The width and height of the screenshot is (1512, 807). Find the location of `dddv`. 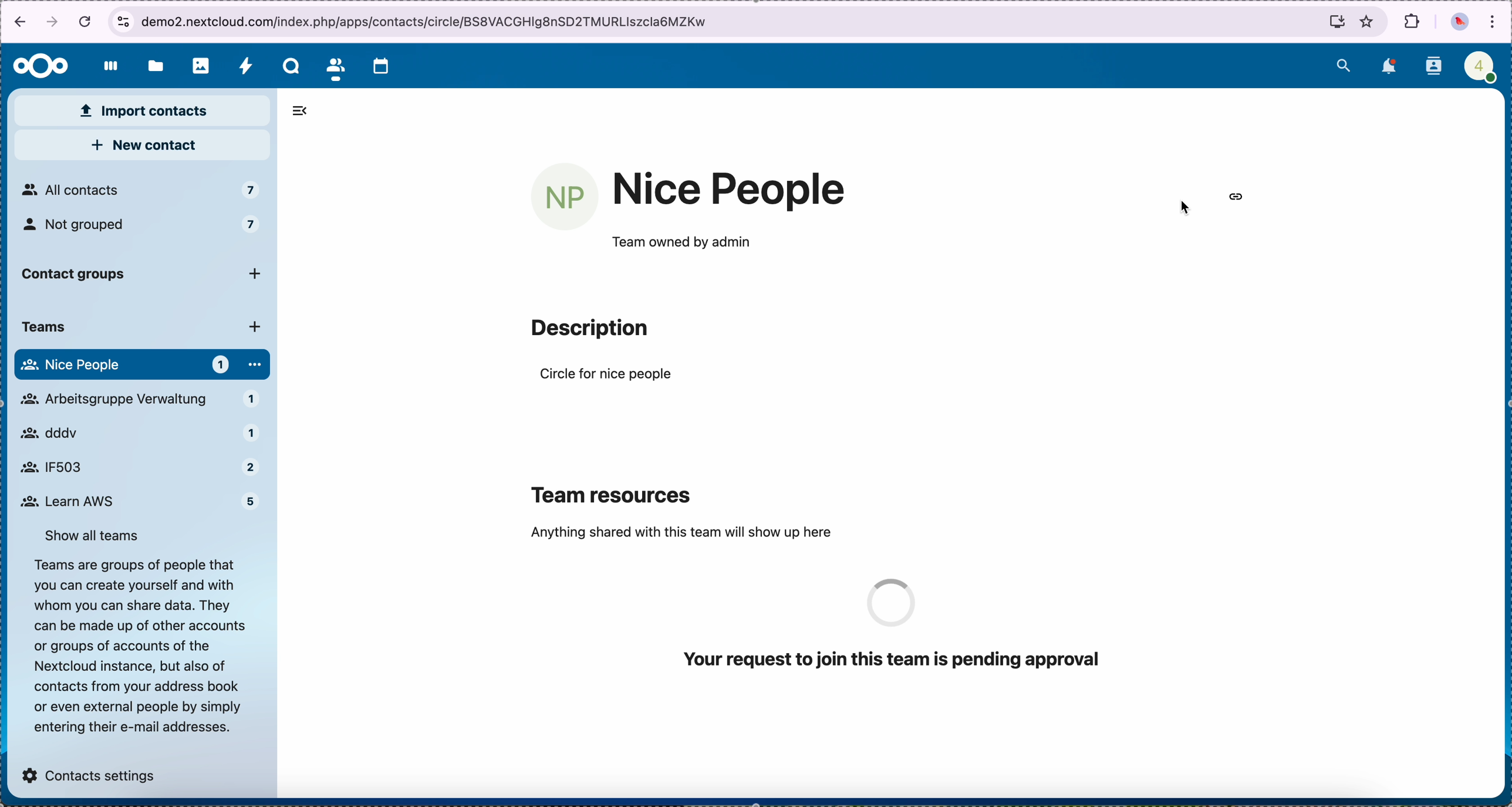

dddv is located at coordinates (135, 401).